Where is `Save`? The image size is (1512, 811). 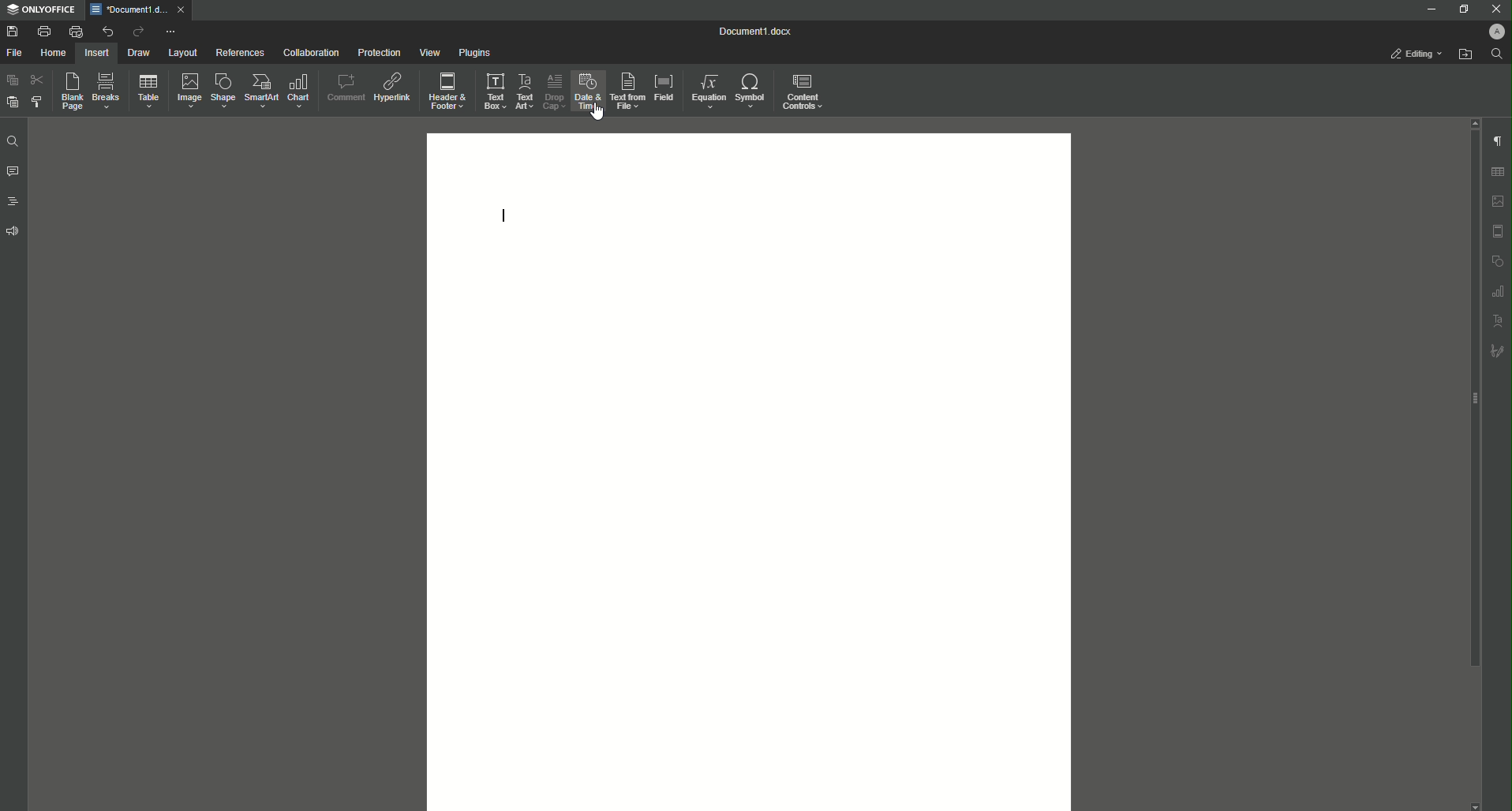 Save is located at coordinates (12, 31).